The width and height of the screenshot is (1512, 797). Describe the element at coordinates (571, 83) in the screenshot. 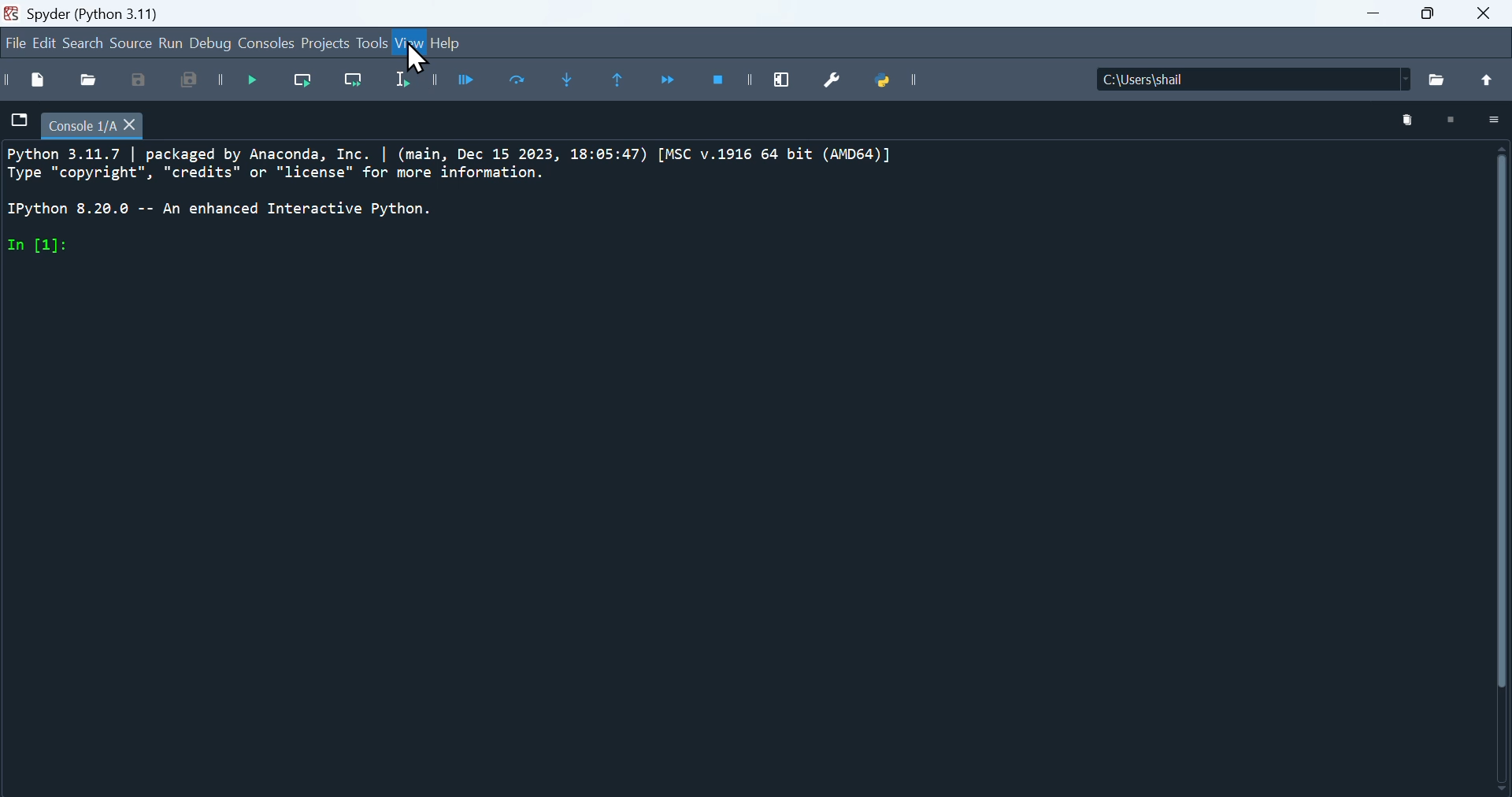

I see `Step into function` at that location.